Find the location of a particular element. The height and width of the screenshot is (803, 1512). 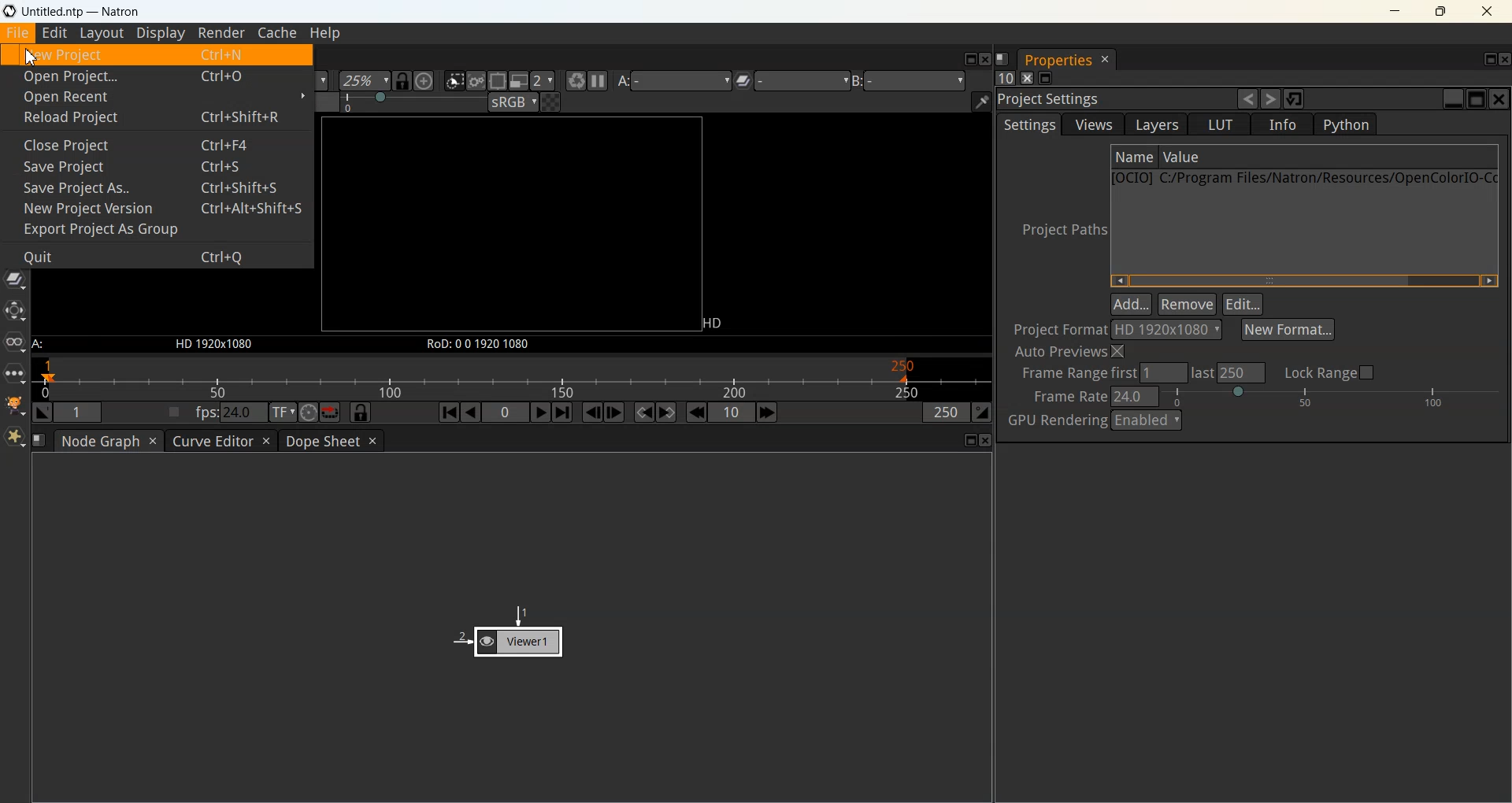

Name of file is located at coordinates (1134, 157).